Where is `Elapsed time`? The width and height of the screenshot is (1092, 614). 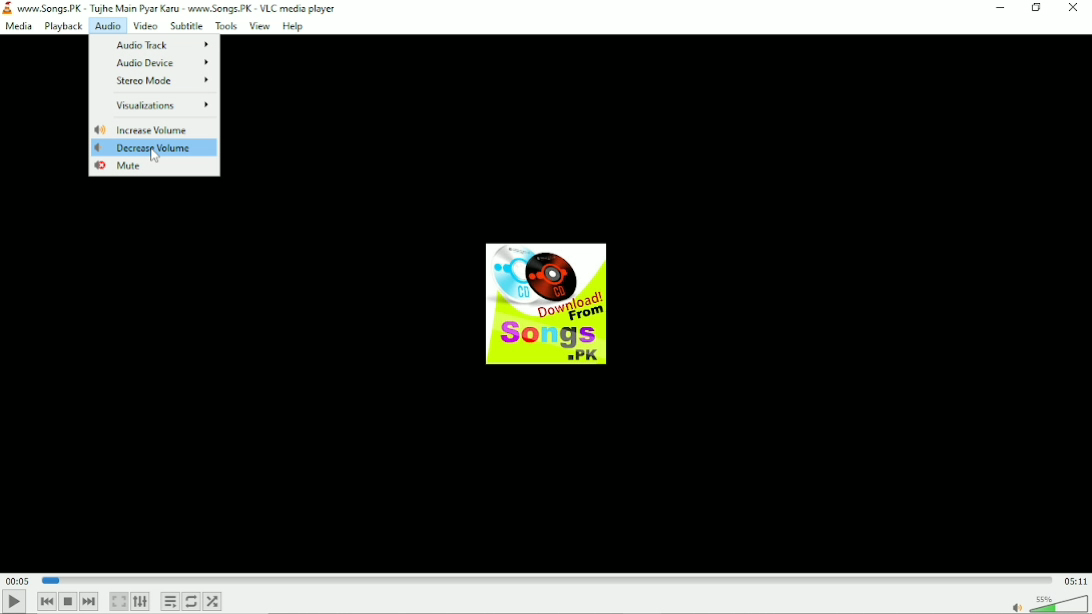
Elapsed time is located at coordinates (17, 580).